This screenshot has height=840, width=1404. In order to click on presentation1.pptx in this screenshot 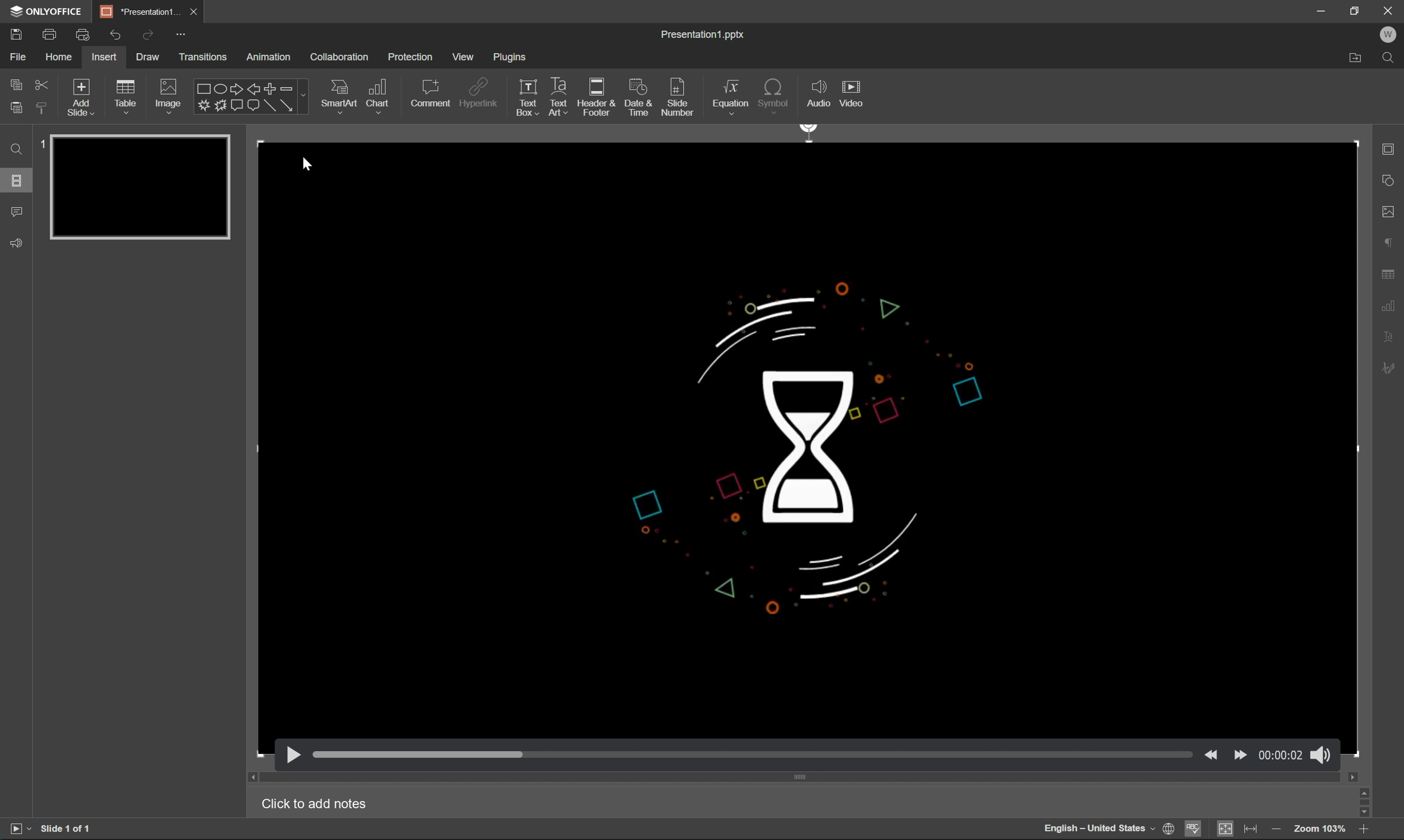, I will do `click(701, 35)`.